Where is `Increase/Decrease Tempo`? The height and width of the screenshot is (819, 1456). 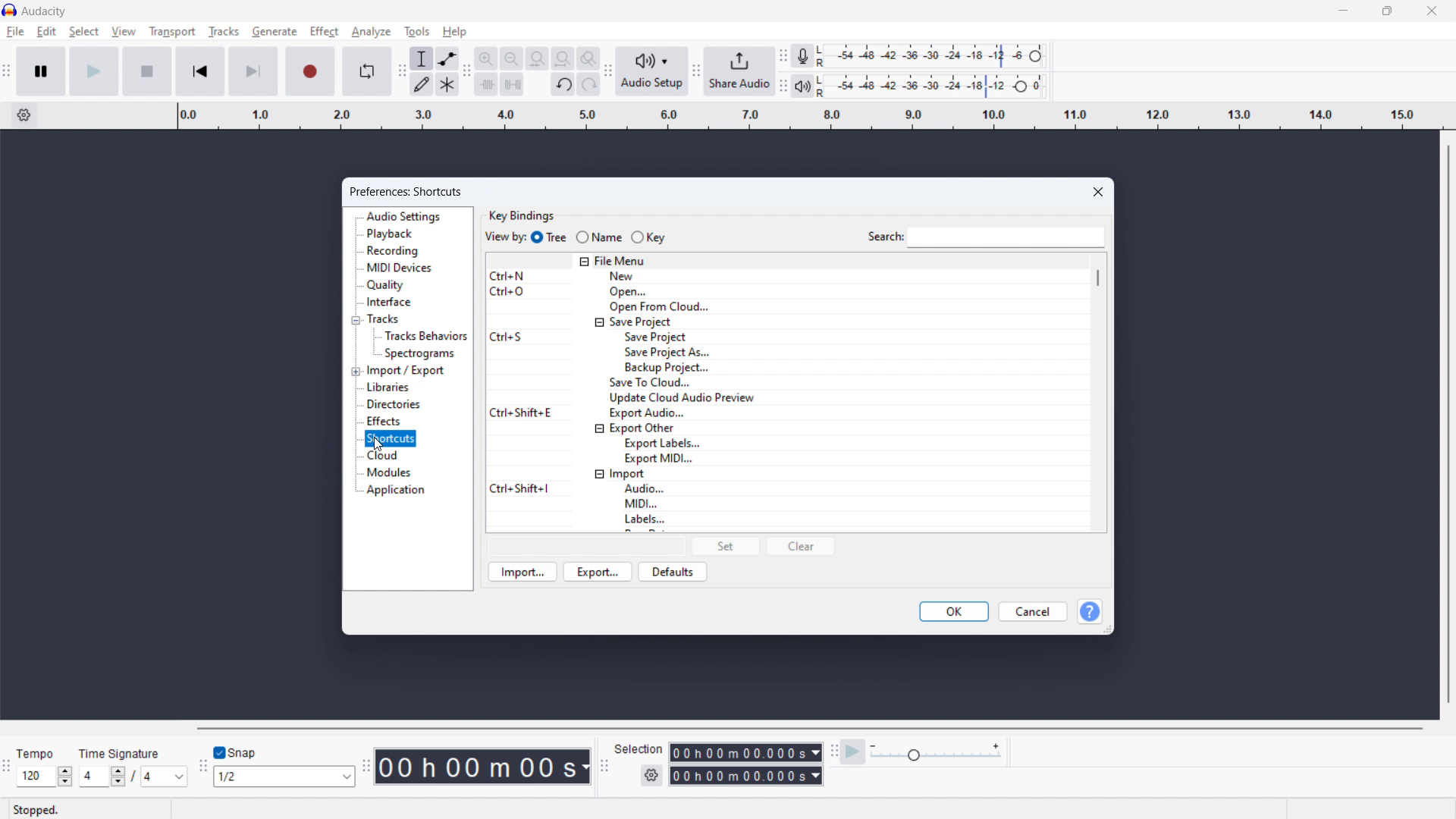
Increase/Decrease Tempo is located at coordinates (65, 777).